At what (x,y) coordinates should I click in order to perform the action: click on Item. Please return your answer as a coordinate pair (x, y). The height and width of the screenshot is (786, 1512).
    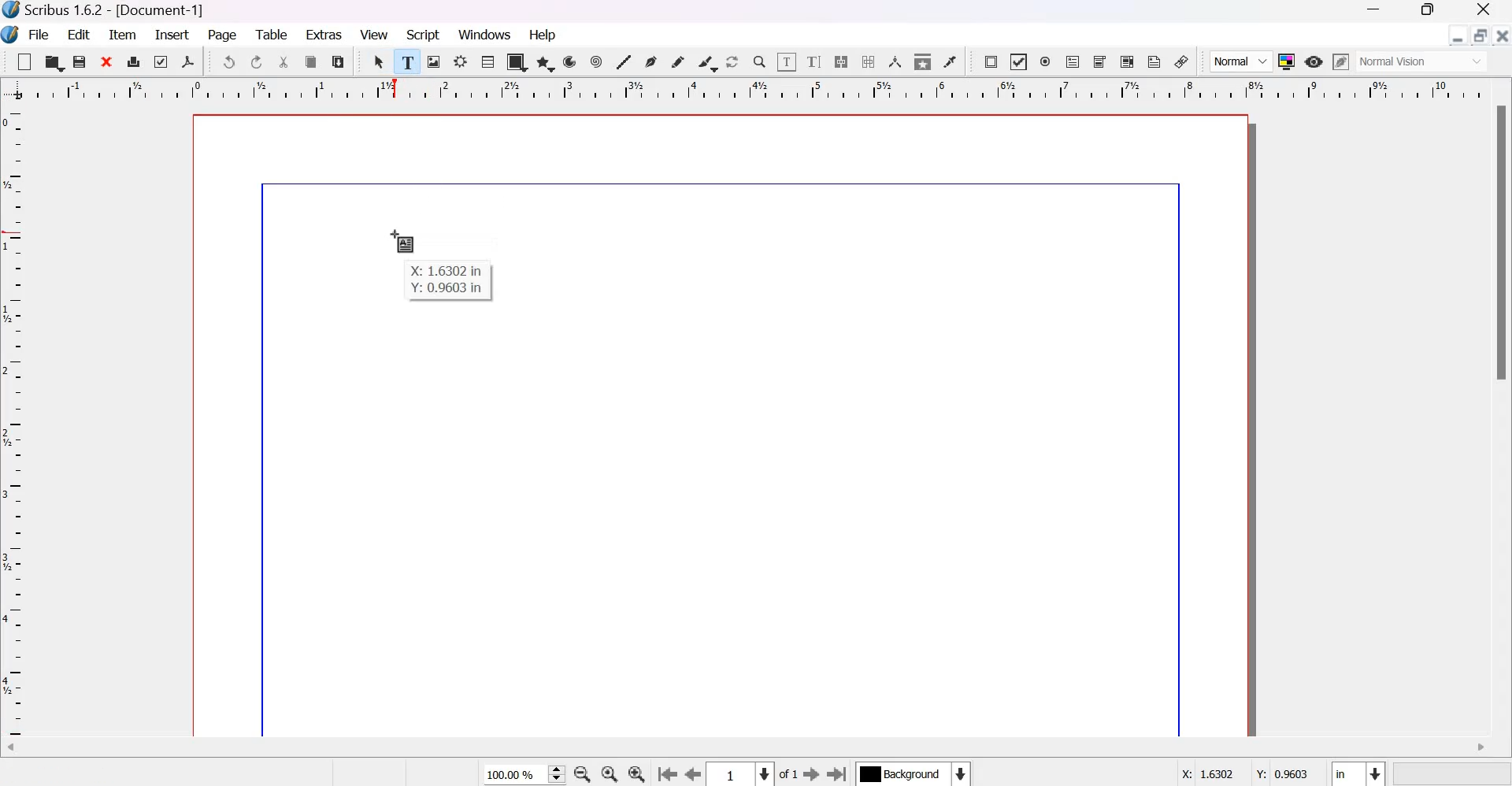
    Looking at the image, I should click on (123, 35).